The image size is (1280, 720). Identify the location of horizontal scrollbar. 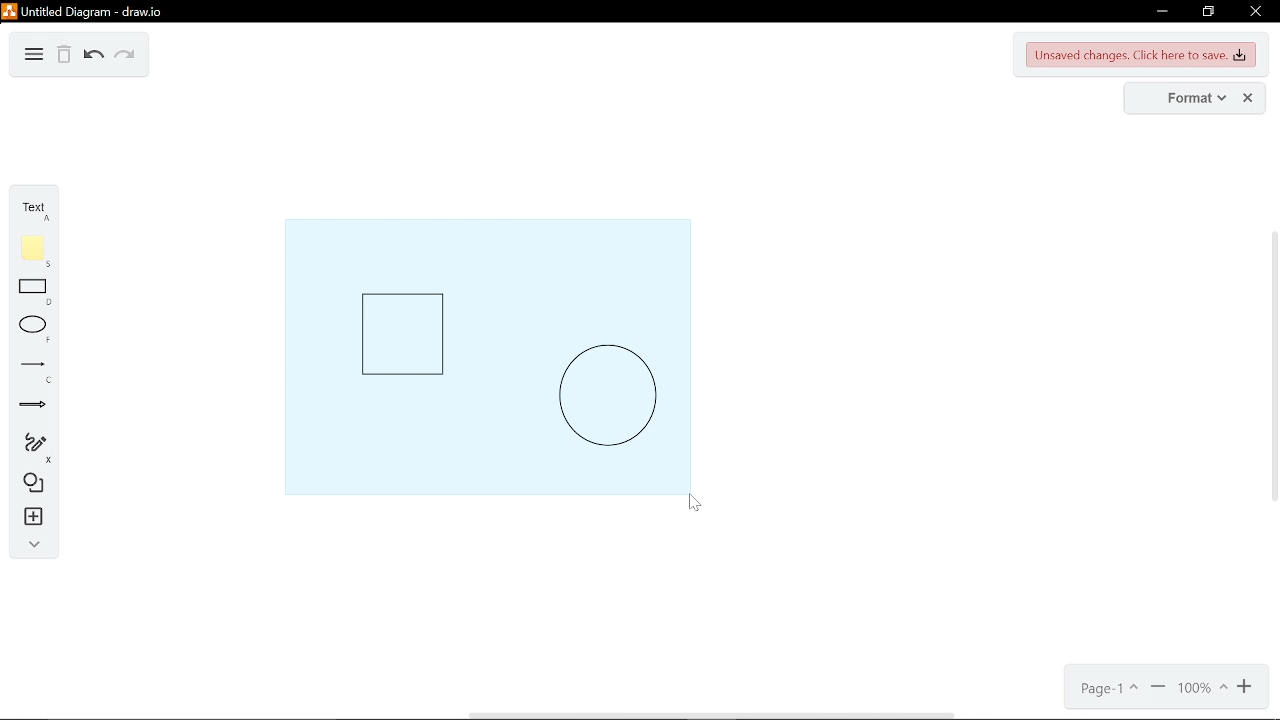
(714, 715).